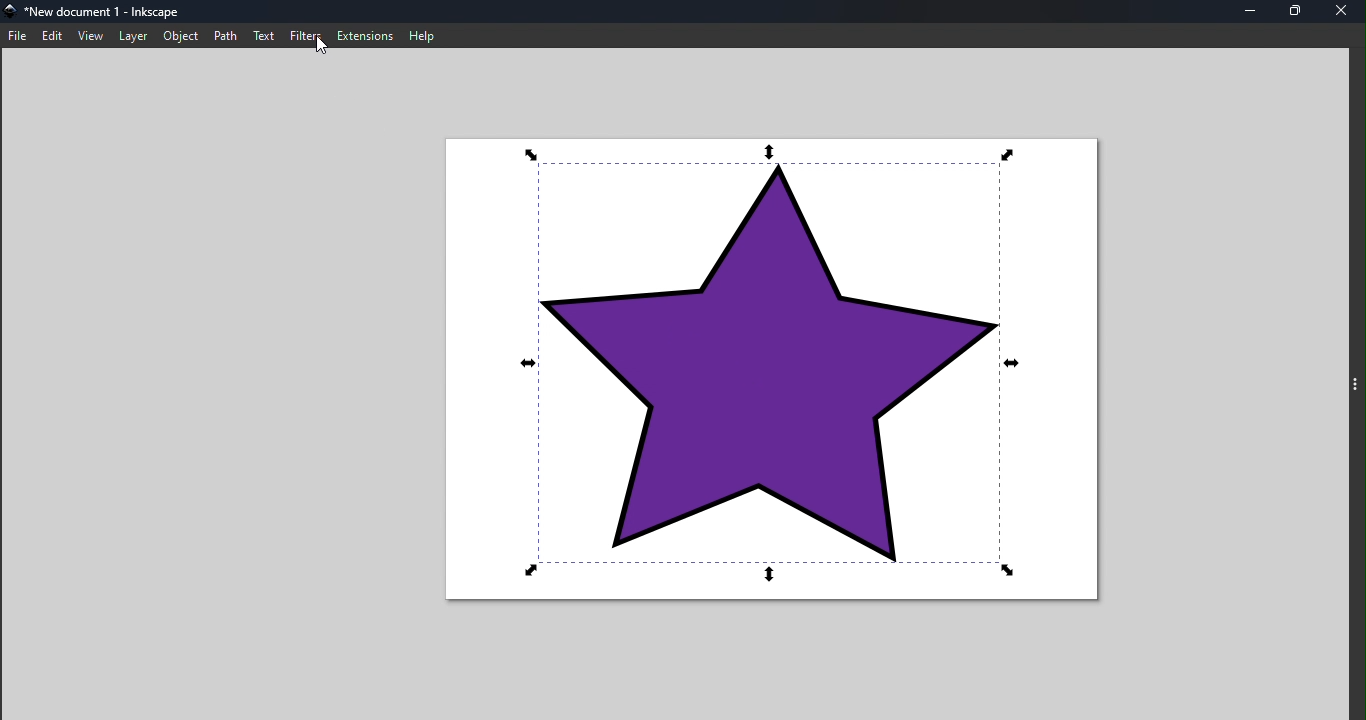 This screenshot has width=1366, height=720. What do you see at coordinates (362, 35) in the screenshot?
I see `Extensions` at bounding box center [362, 35].